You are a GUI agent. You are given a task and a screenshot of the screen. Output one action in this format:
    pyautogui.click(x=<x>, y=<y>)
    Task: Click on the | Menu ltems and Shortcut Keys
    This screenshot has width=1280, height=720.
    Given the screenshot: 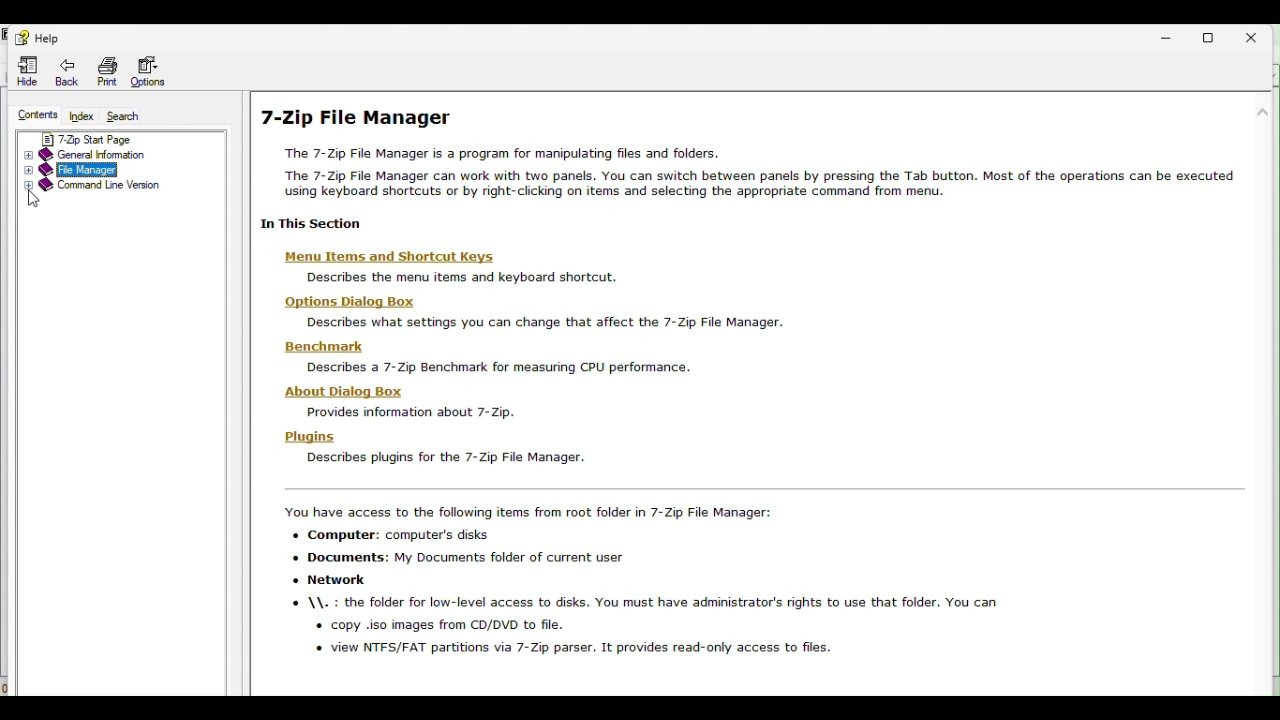 What is the action you would take?
    pyautogui.click(x=392, y=257)
    